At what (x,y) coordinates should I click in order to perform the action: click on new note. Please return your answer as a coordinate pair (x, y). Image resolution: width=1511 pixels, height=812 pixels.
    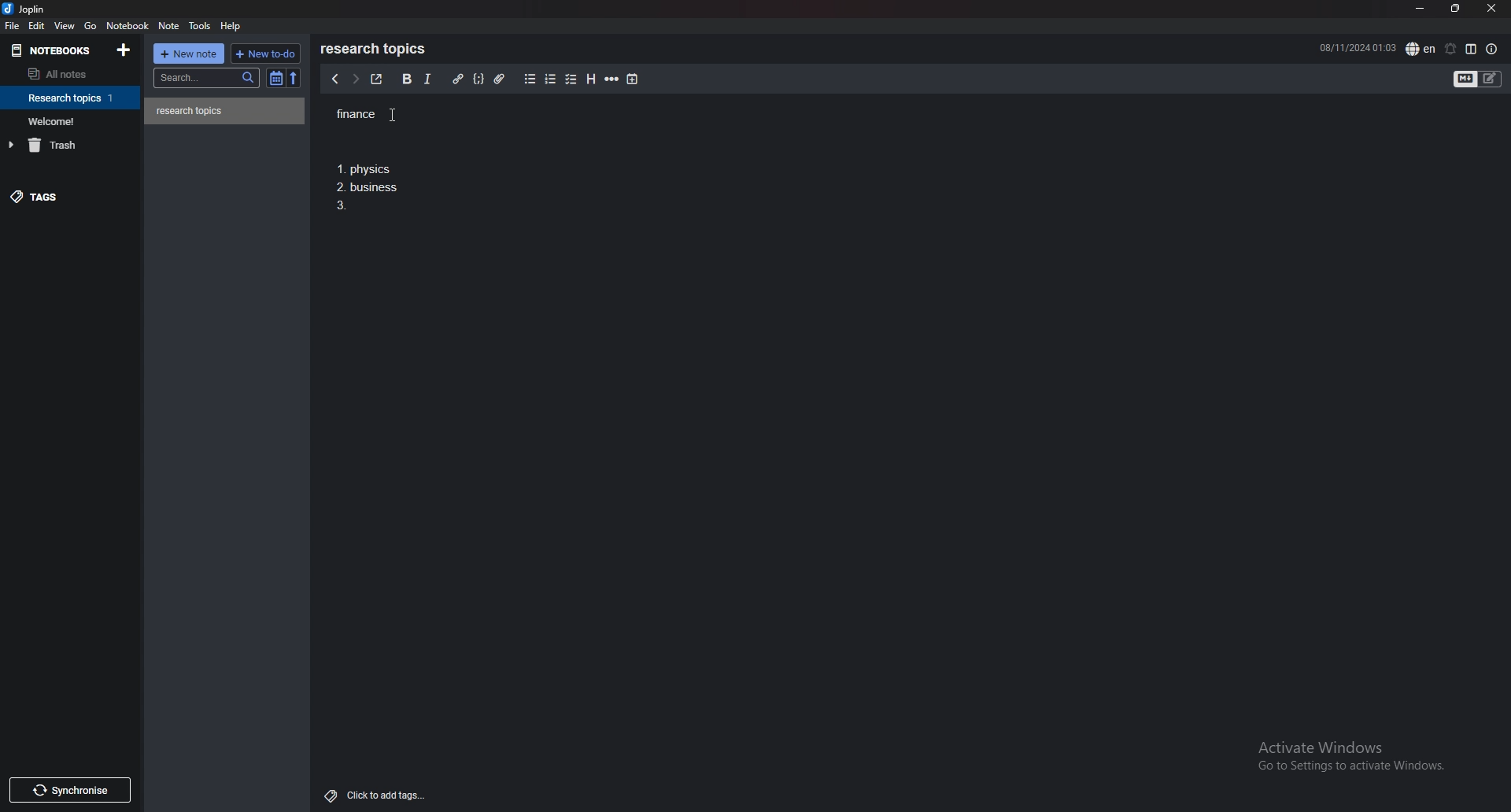
    Looking at the image, I should click on (190, 53).